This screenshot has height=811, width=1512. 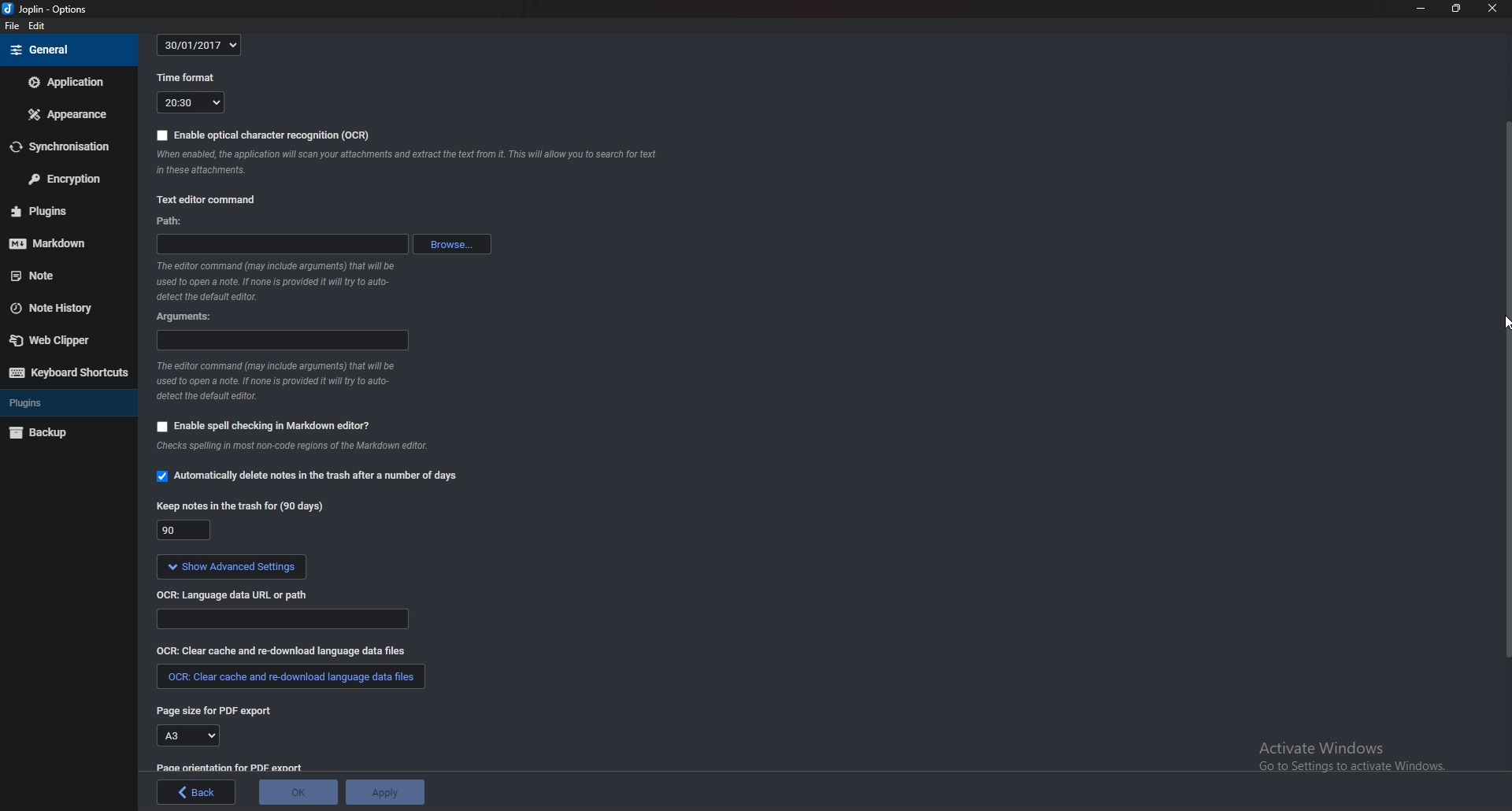 What do you see at coordinates (282, 243) in the screenshot?
I see `path` at bounding box center [282, 243].